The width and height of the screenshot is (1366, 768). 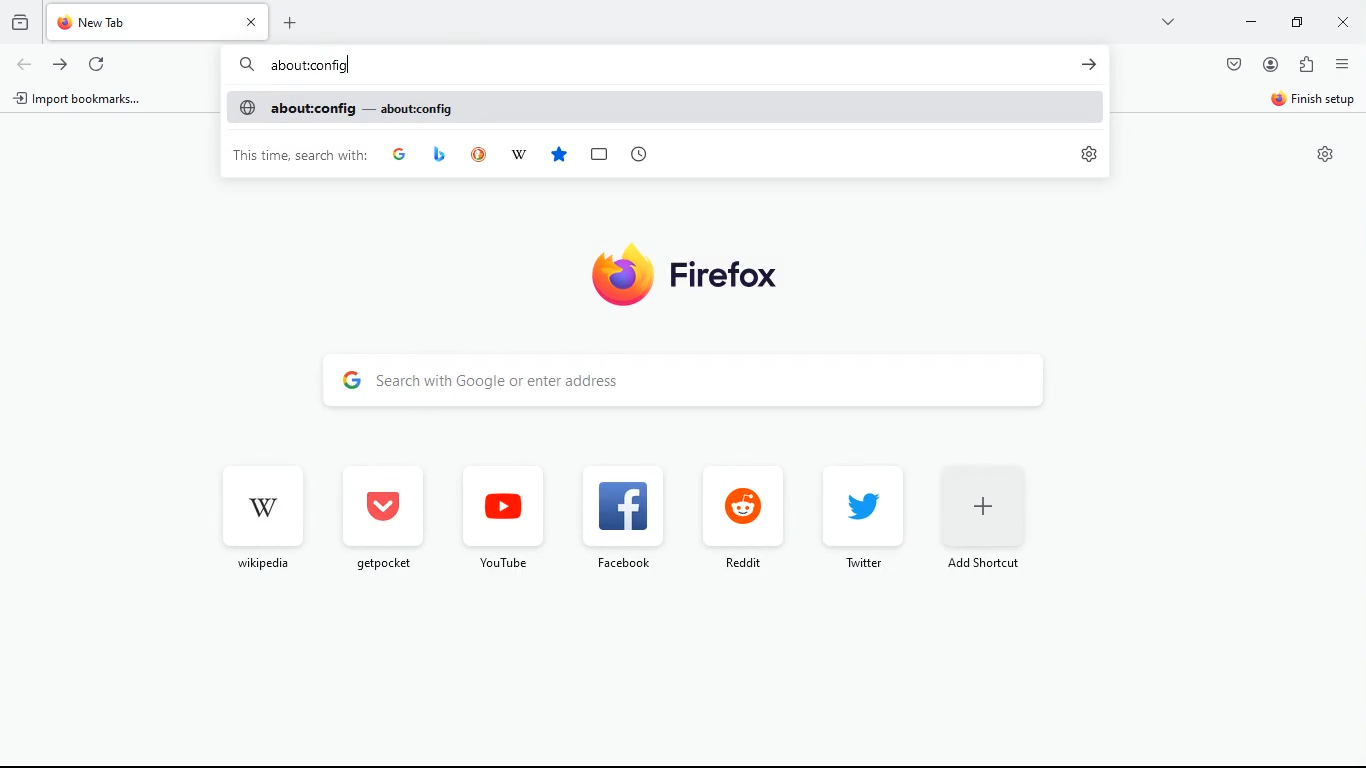 I want to click on Recent, so click(x=638, y=154).